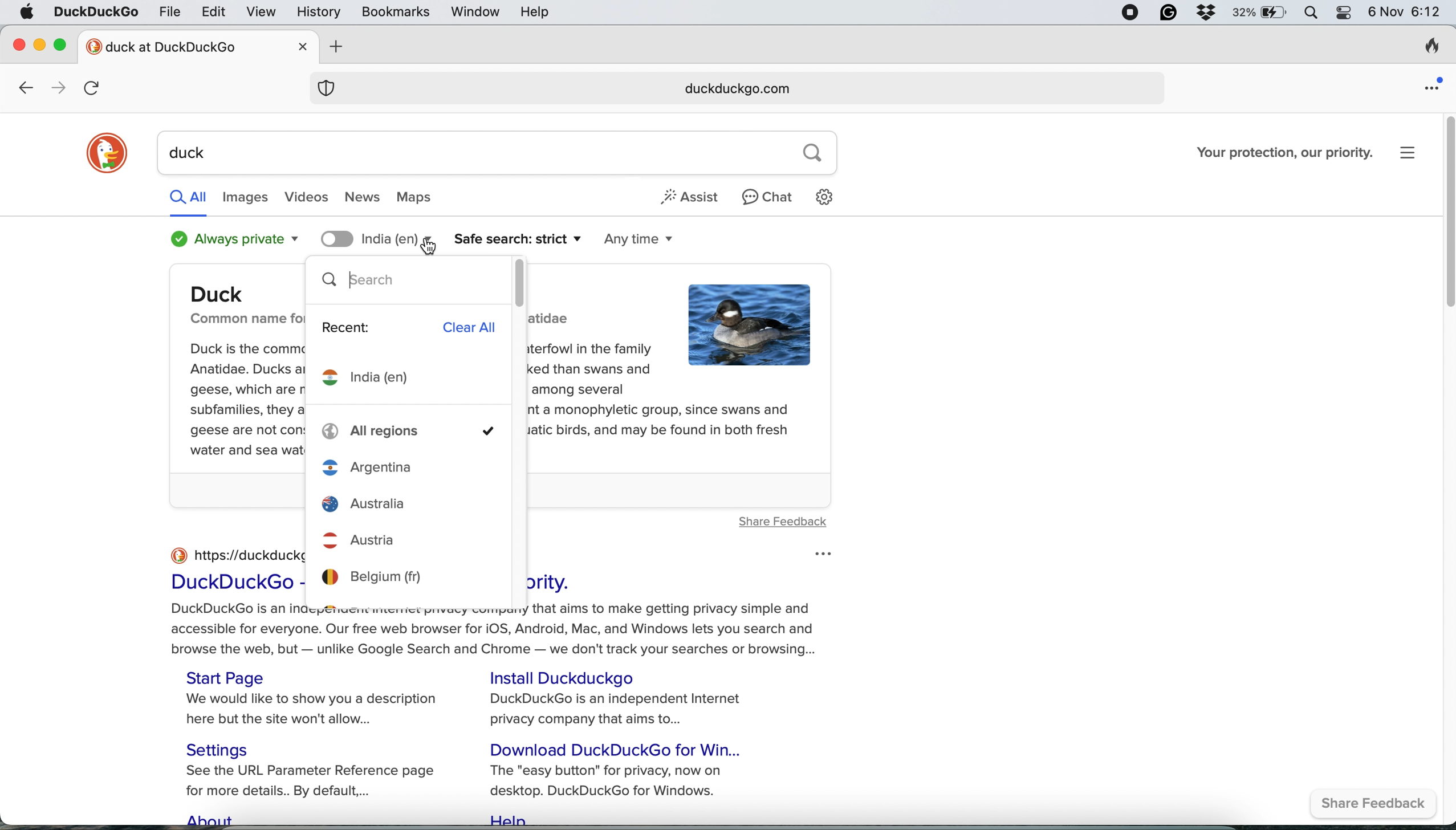  What do you see at coordinates (1344, 14) in the screenshot?
I see `control center` at bounding box center [1344, 14].